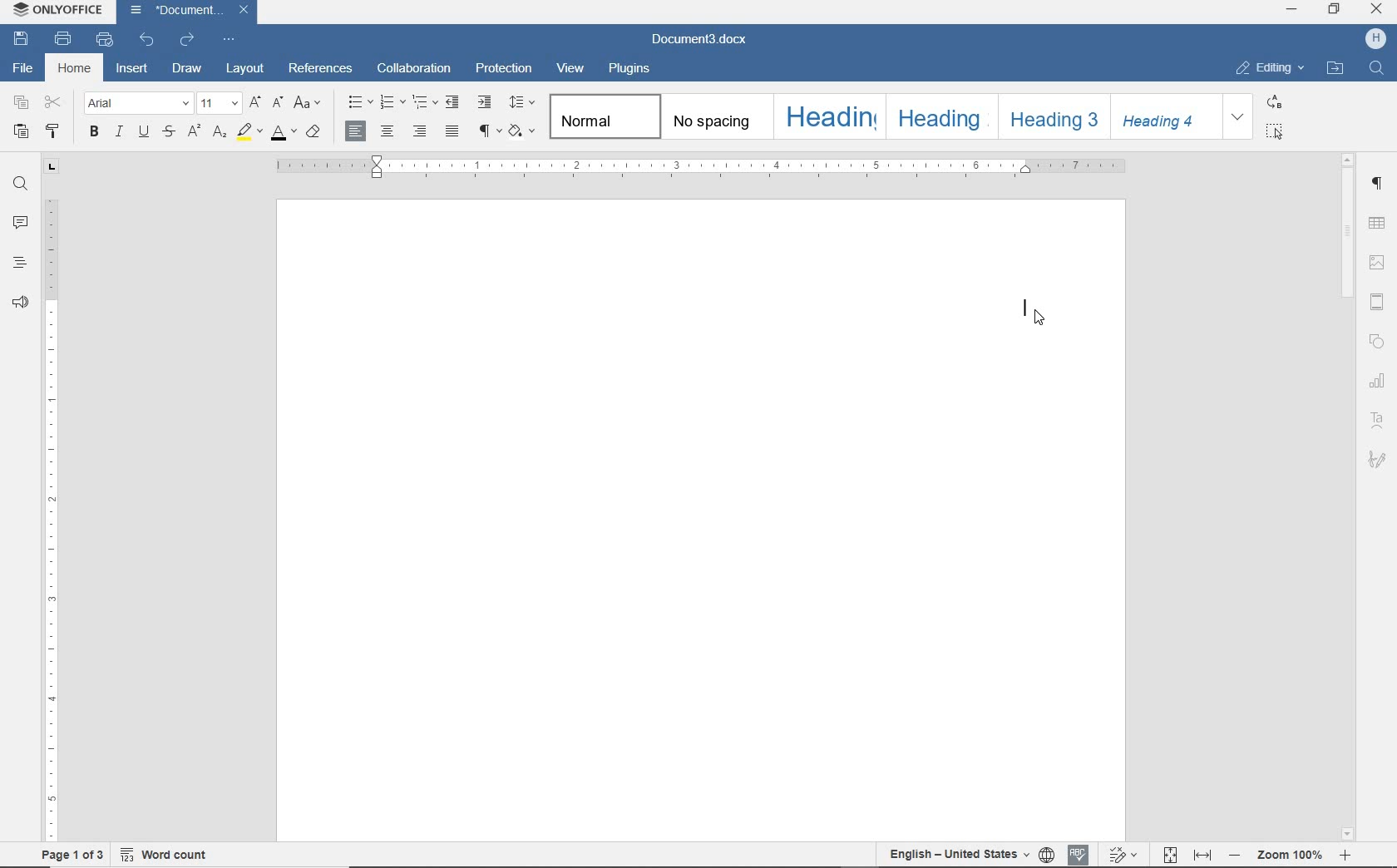 The height and width of the screenshot is (868, 1397). I want to click on SHAPE, so click(1379, 341).